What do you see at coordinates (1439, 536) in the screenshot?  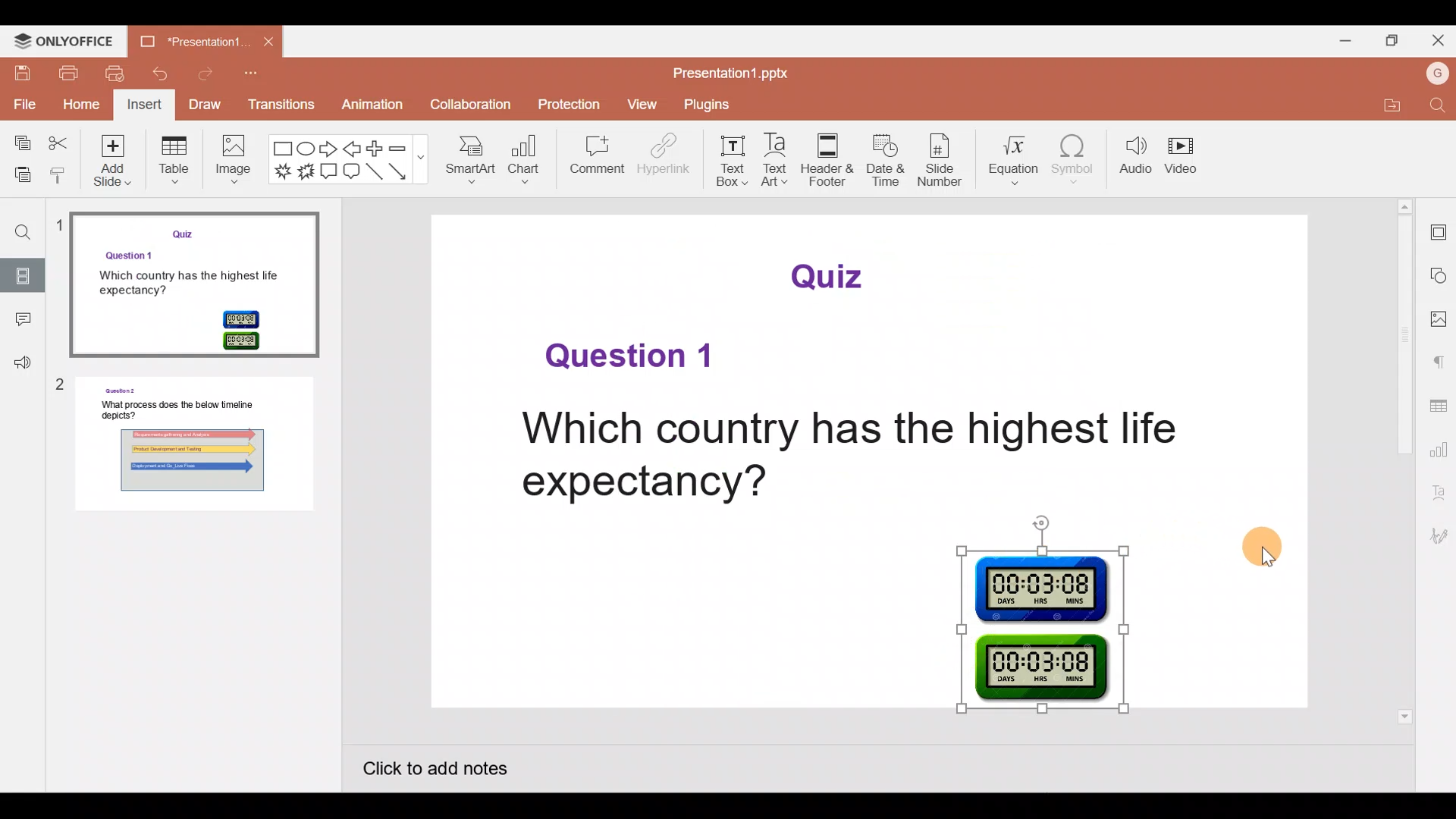 I see `Signature settings` at bounding box center [1439, 536].